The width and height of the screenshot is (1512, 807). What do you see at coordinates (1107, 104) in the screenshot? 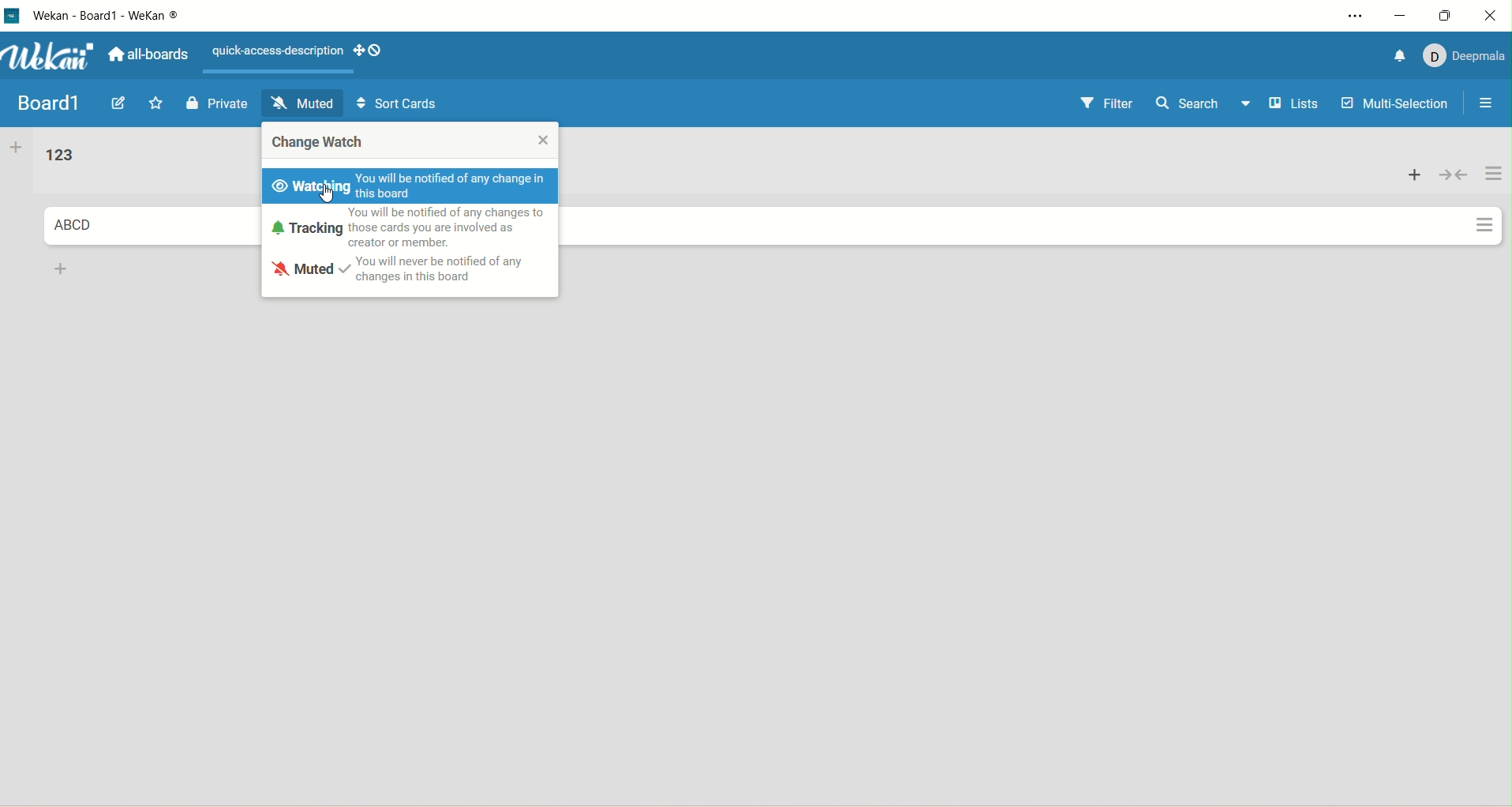
I see `filter` at bounding box center [1107, 104].